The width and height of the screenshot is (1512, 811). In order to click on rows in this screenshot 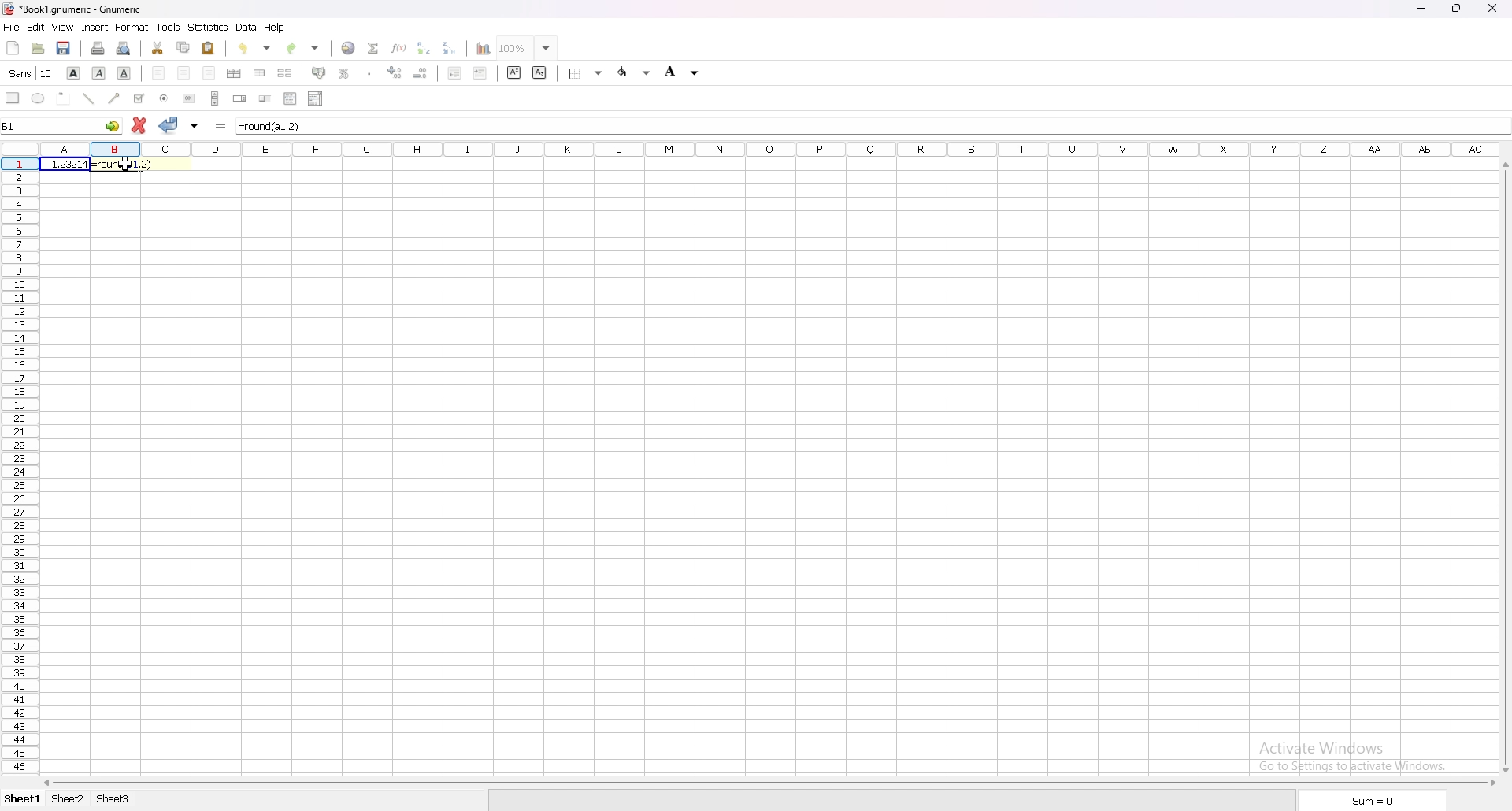, I will do `click(21, 468)`.